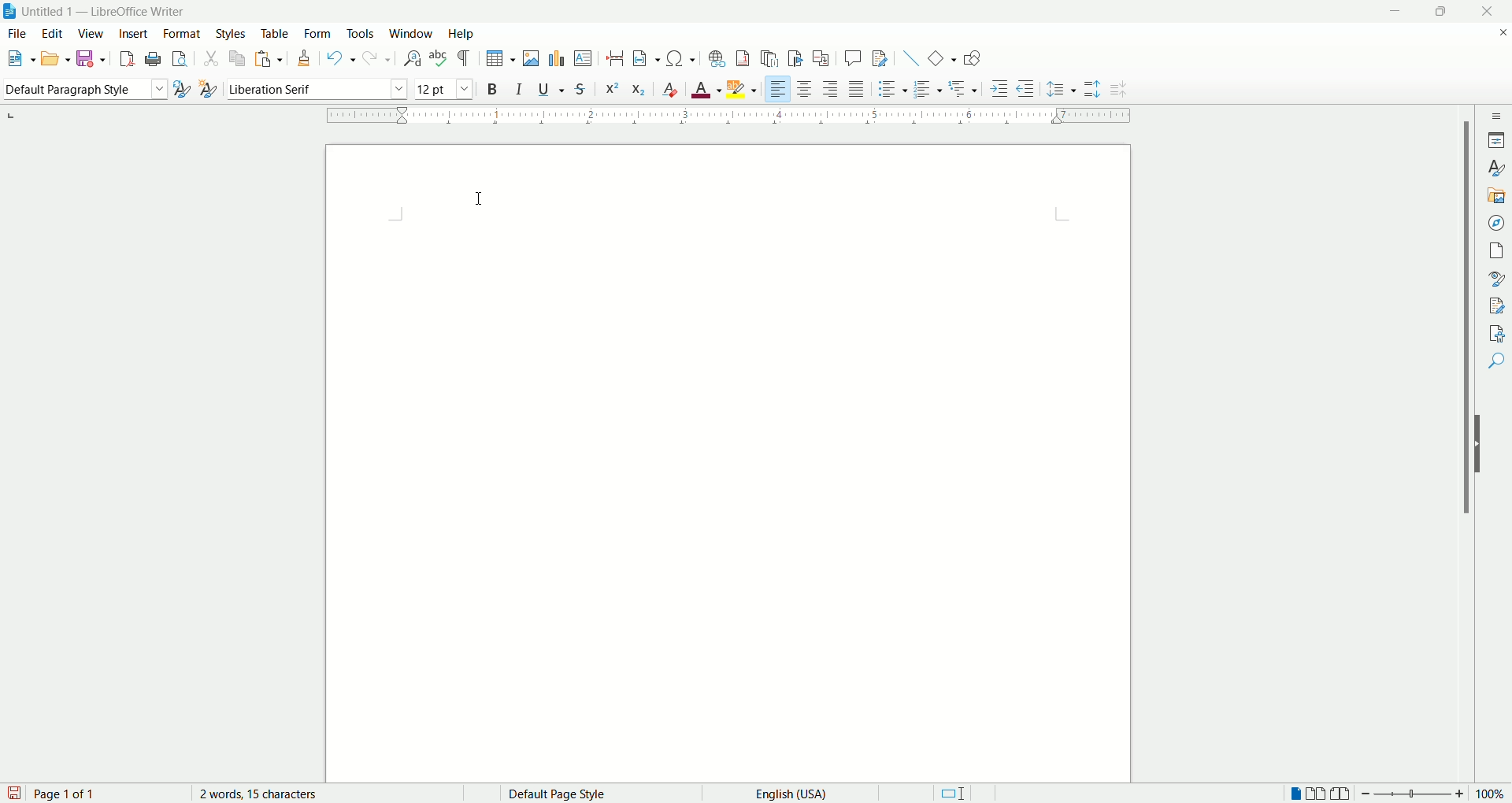  Describe the element at coordinates (412, 58) in the screenshot. I see `find and replace` at that location.